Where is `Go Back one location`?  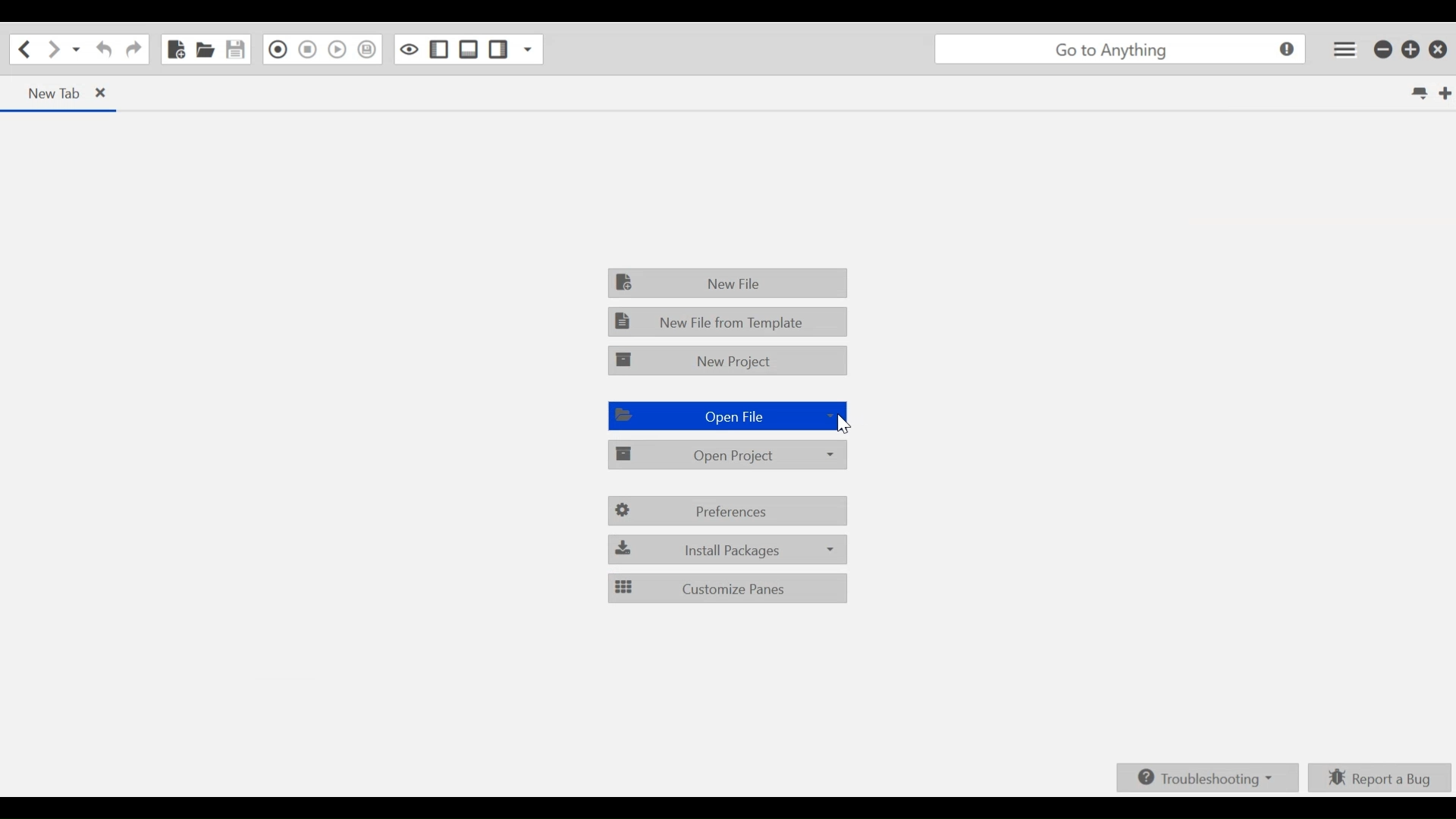
Go Back one location is located at coordinates (24, 49).